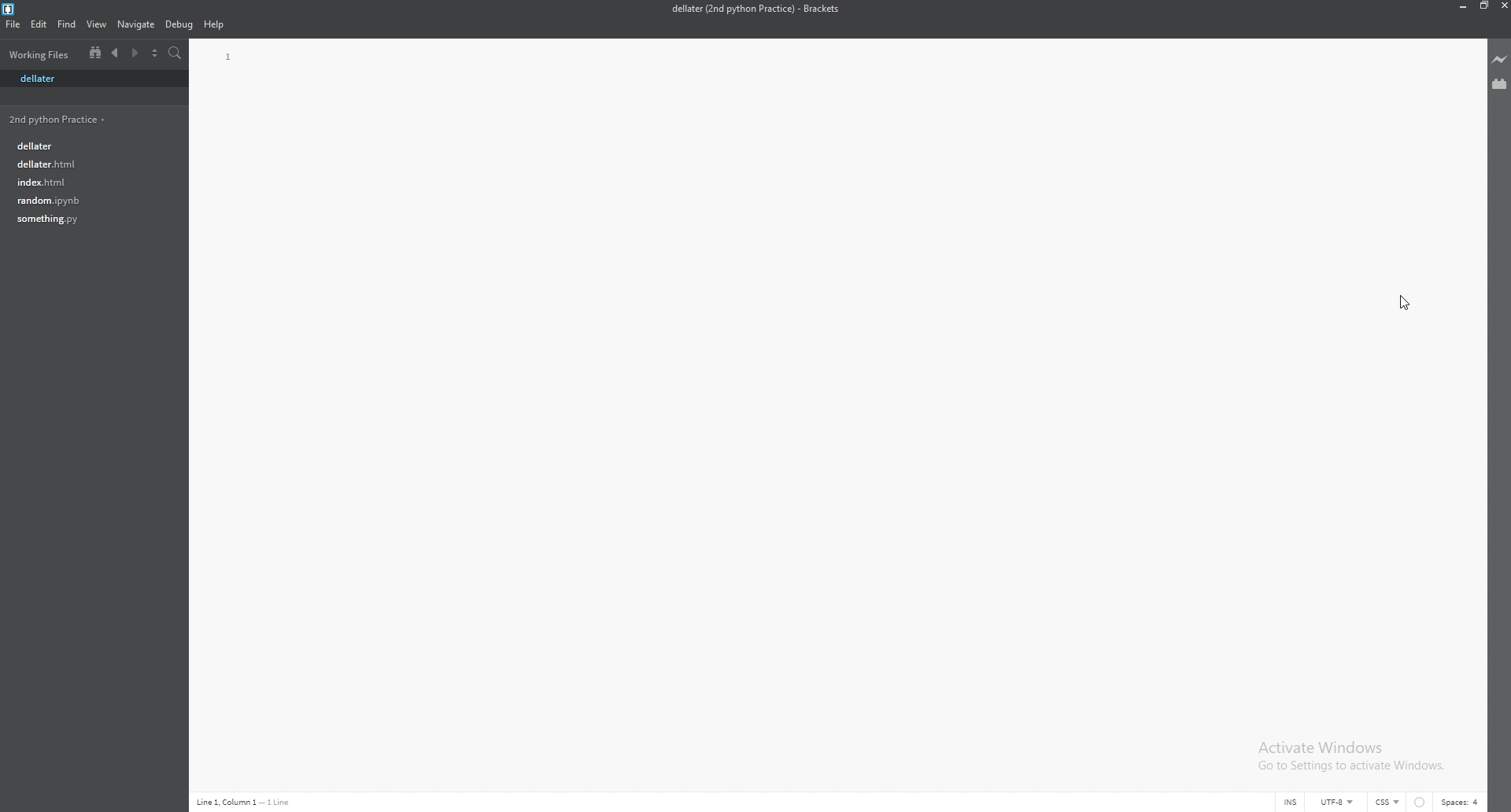 The width and height of the screenshot is (1511, 812). Describe the element at coordinates (1410, 304) in the screenshot. I see `cursor` at that location.